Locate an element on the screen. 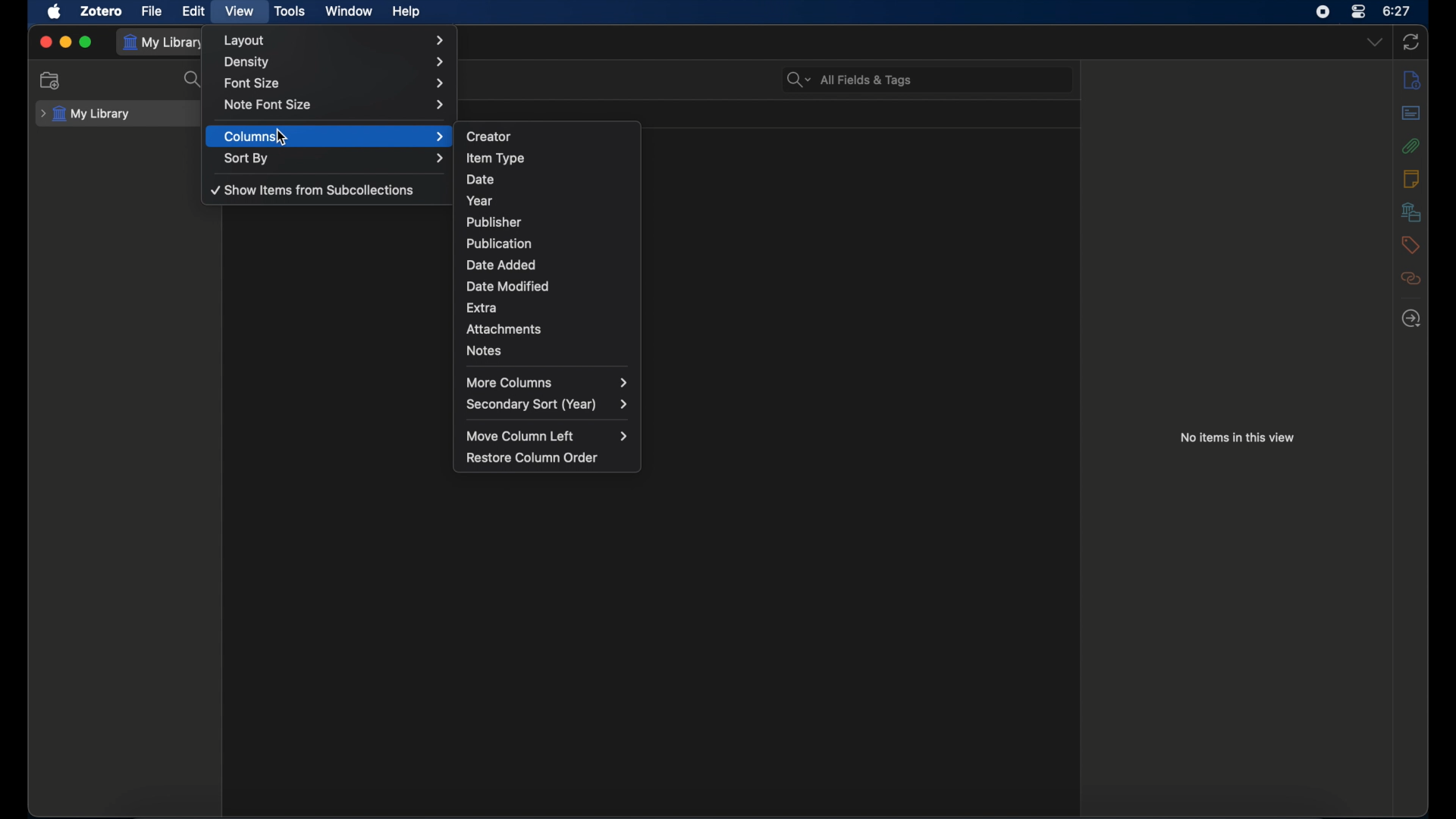 This screenshot has height=819, width=1456. locate is located at coordinates (1411, 318).